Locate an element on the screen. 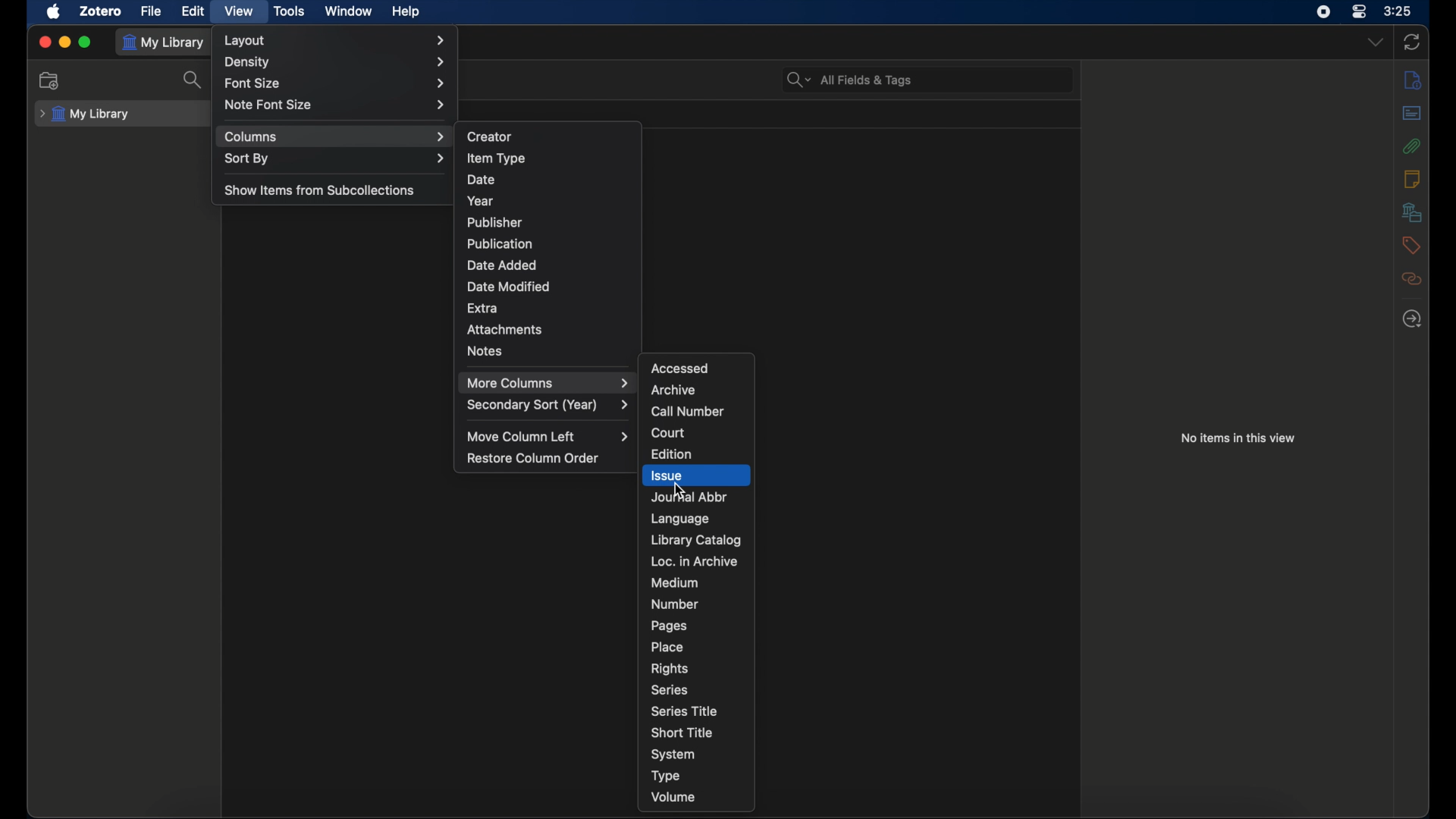  tools is located at coordinates (290, 12).